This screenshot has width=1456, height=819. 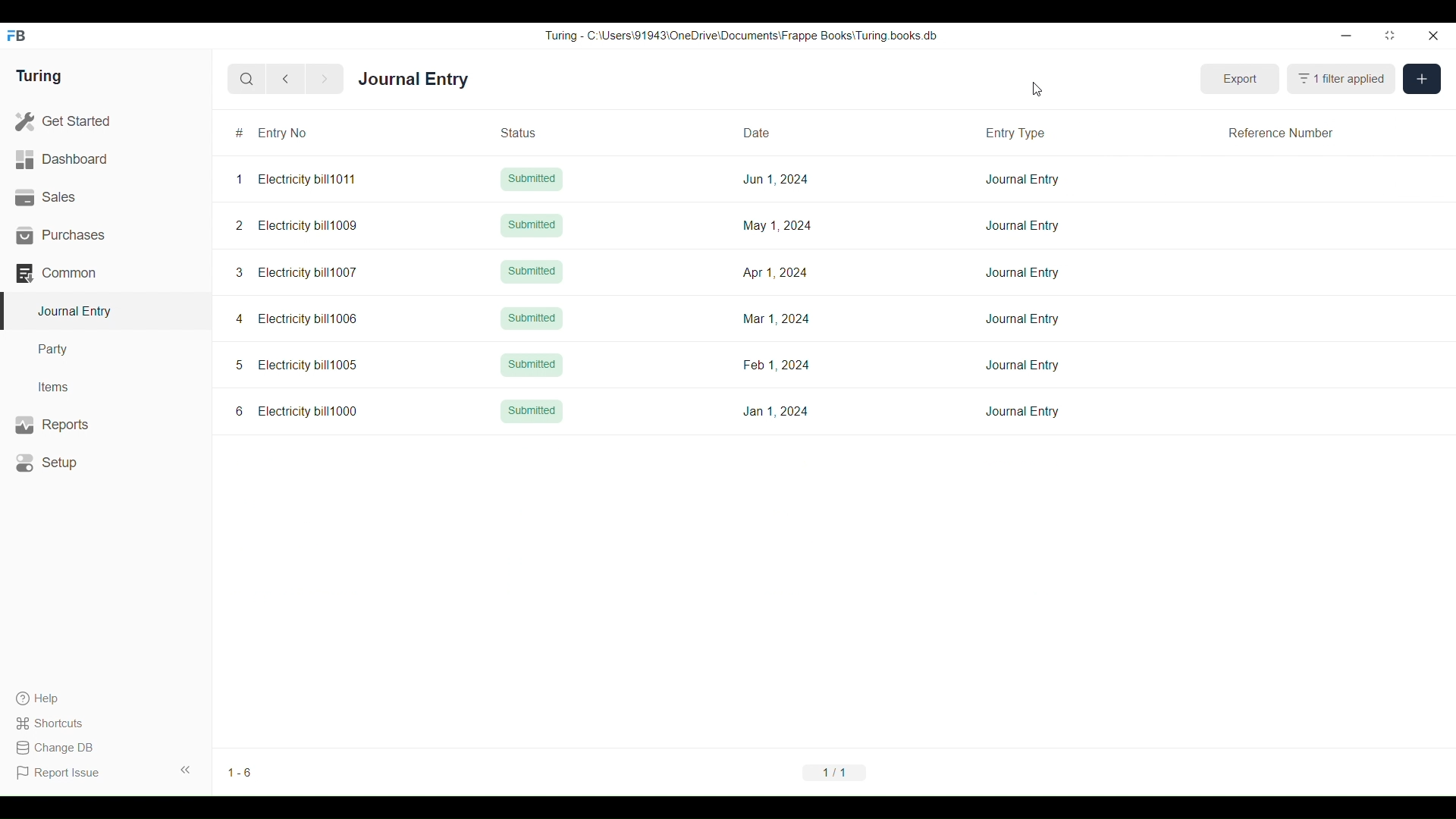 I want to click on Report Issue, so click(x=58, y=773).